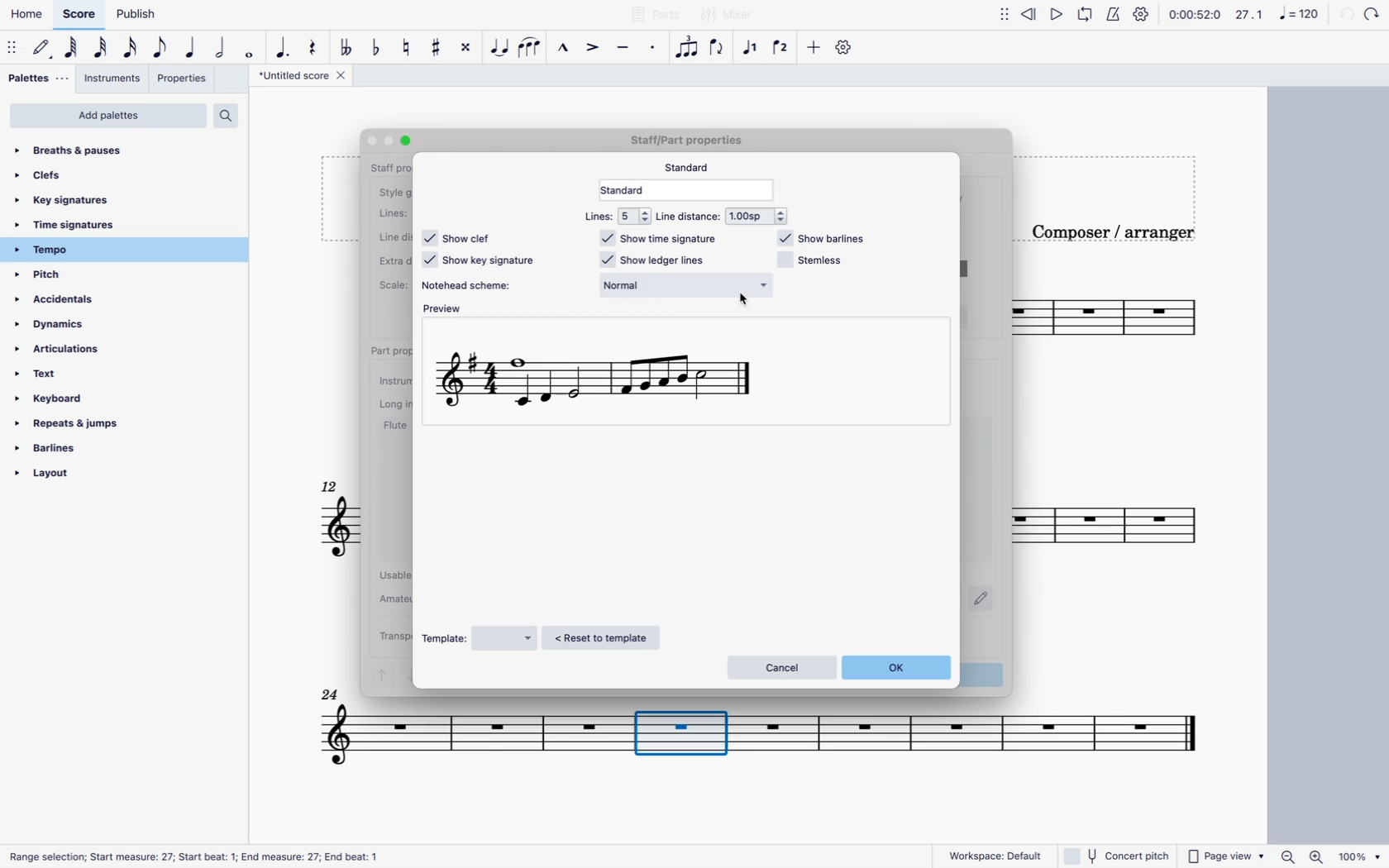  I want to click on add palettes, so click(109, 117).